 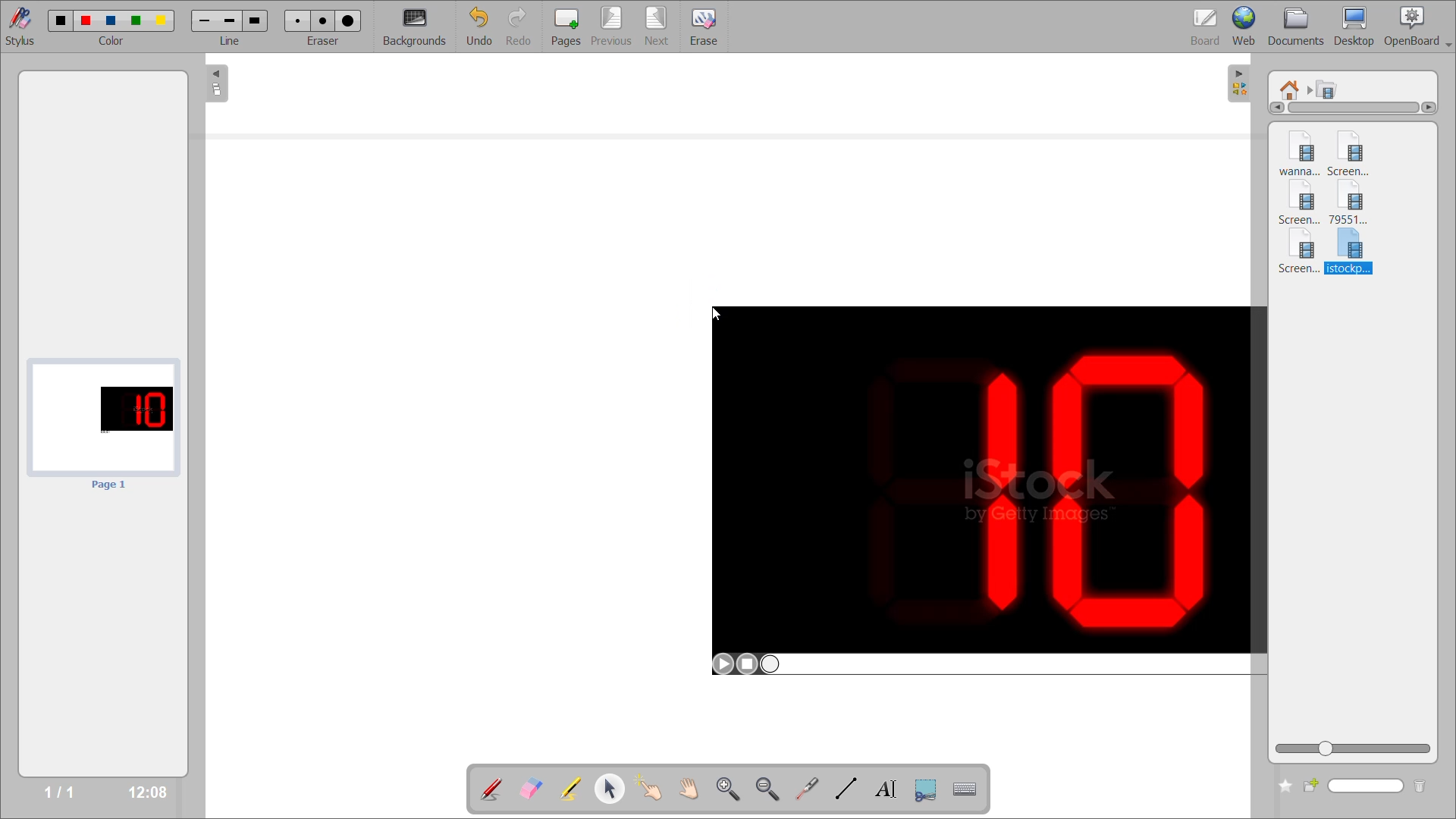 What do you see at coordinates (850, 790) in the screenshot?
I see `draw lines` at bounding box center [850, 790].